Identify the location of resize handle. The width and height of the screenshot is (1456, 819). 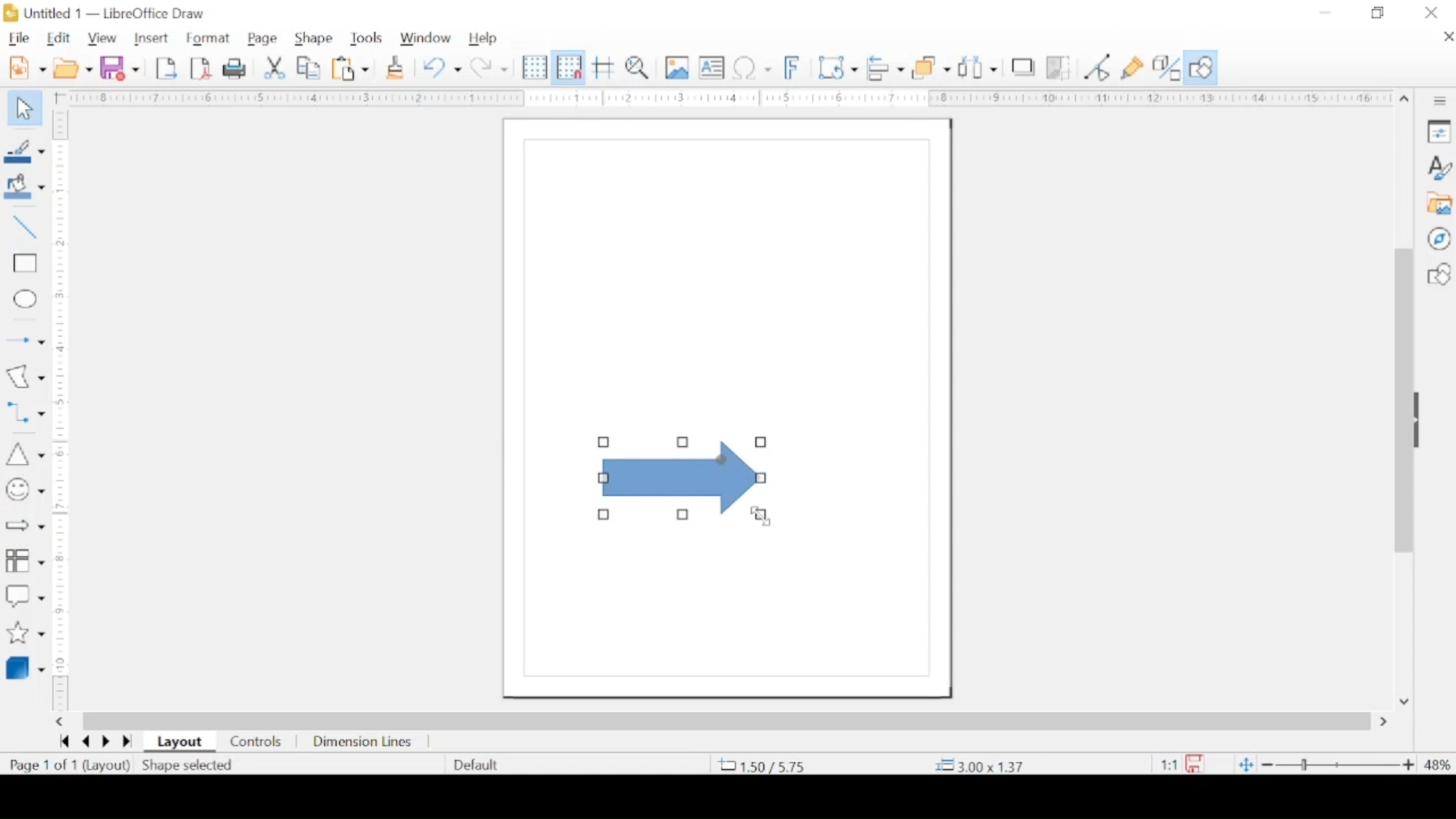
(684, 441).